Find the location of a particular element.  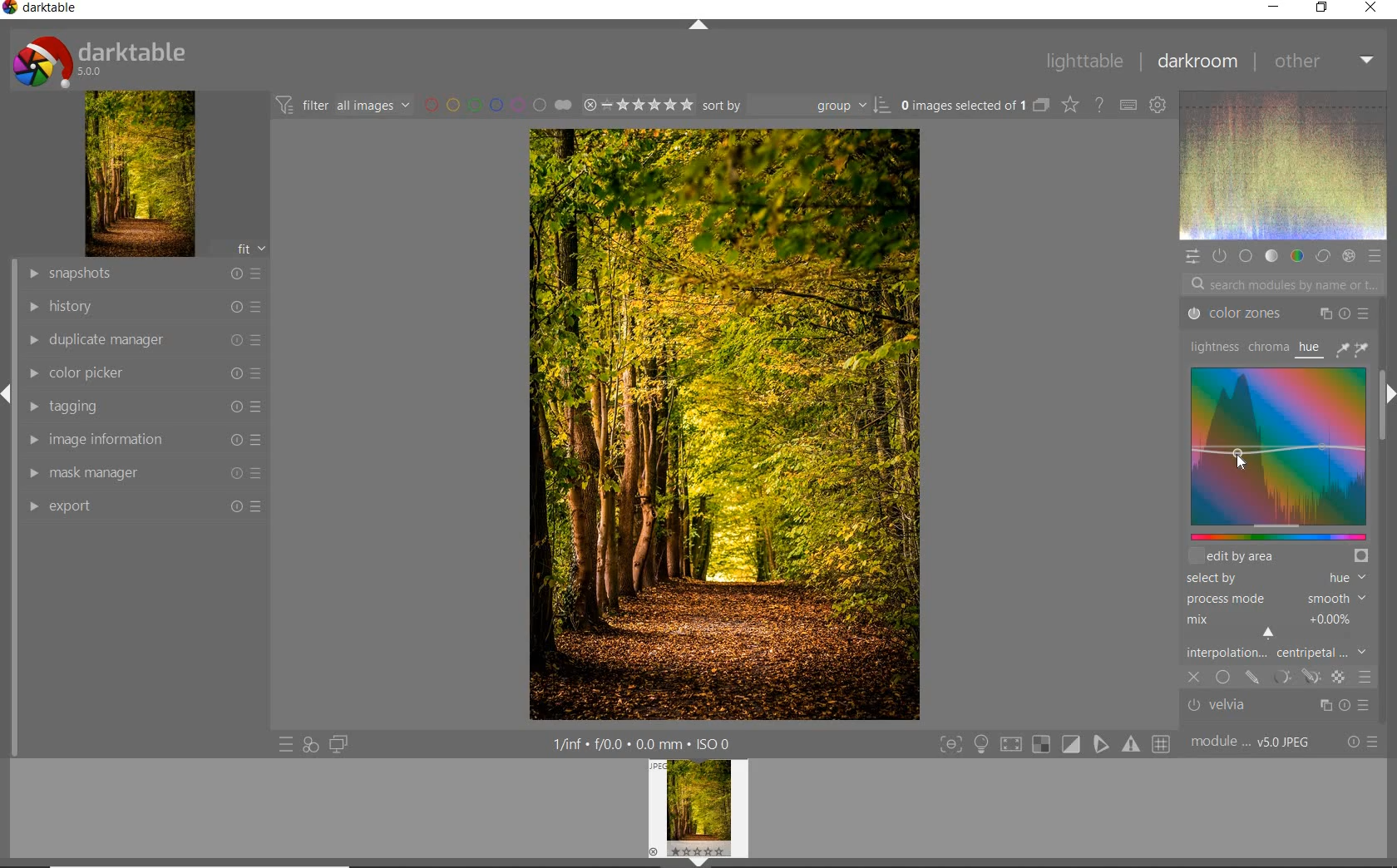

SHOW ONLY ACTIVE MODULE is located at coordinates (1220, 255).